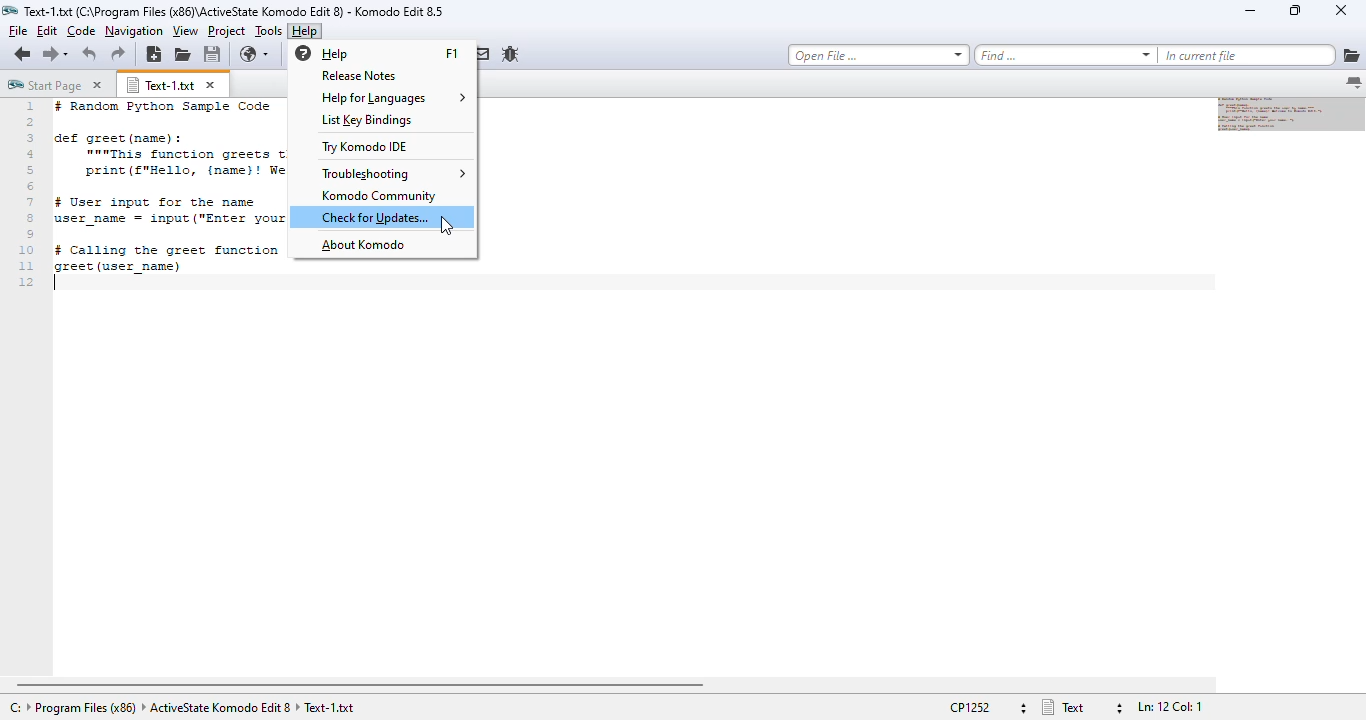  I want to click on undo last action, so click(90, 55).